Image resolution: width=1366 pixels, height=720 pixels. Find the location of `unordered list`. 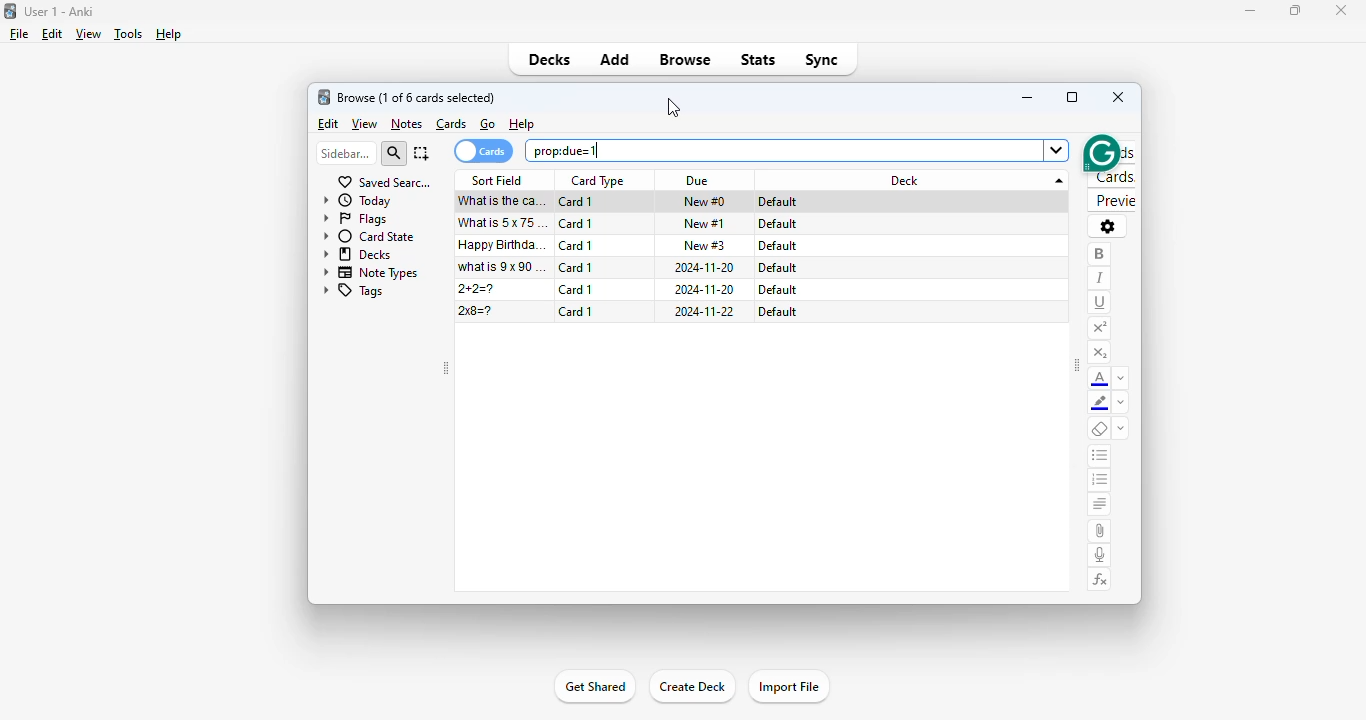

unordered list is located at coordinates (1100, 457).